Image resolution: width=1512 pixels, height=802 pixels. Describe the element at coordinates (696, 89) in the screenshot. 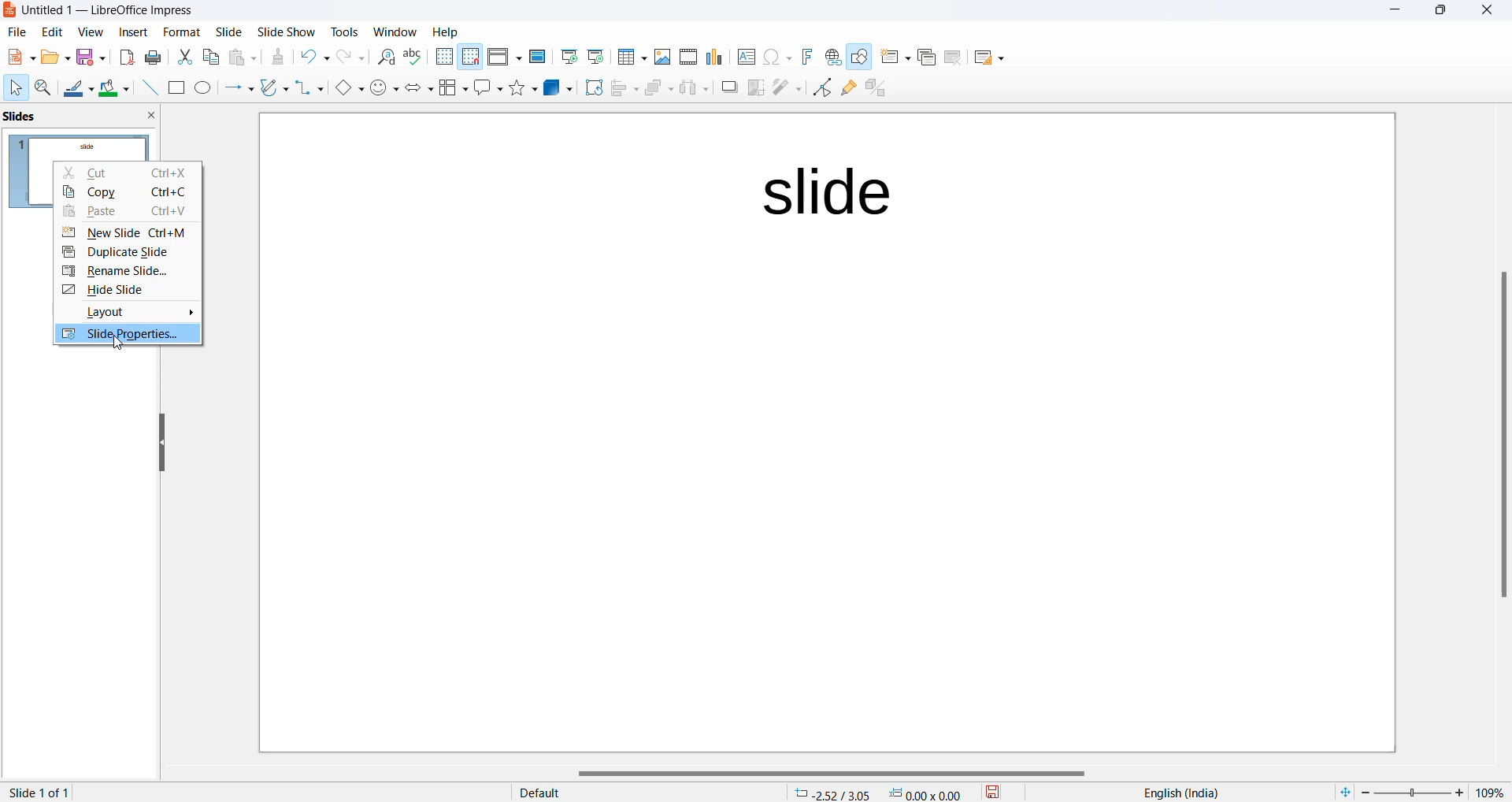

I see `object distribution` at that location.